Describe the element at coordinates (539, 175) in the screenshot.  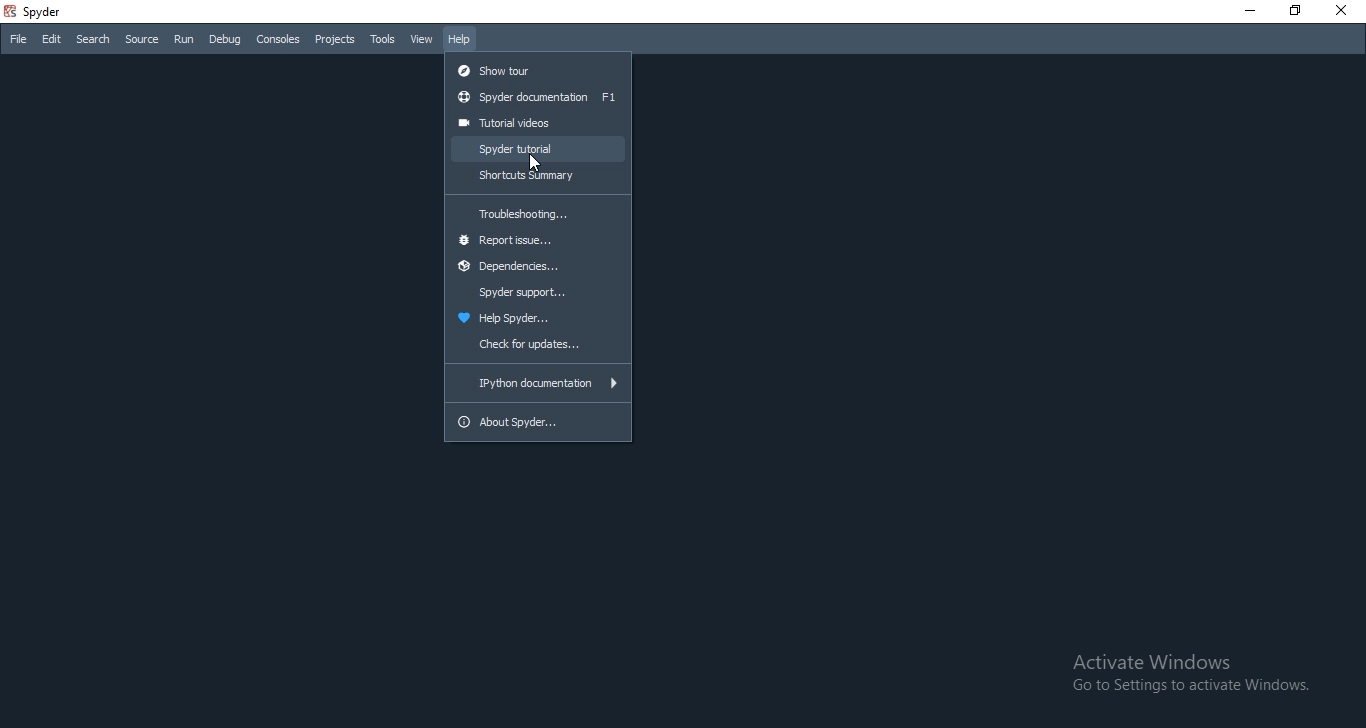
I see `shortcuts summary` at that location.